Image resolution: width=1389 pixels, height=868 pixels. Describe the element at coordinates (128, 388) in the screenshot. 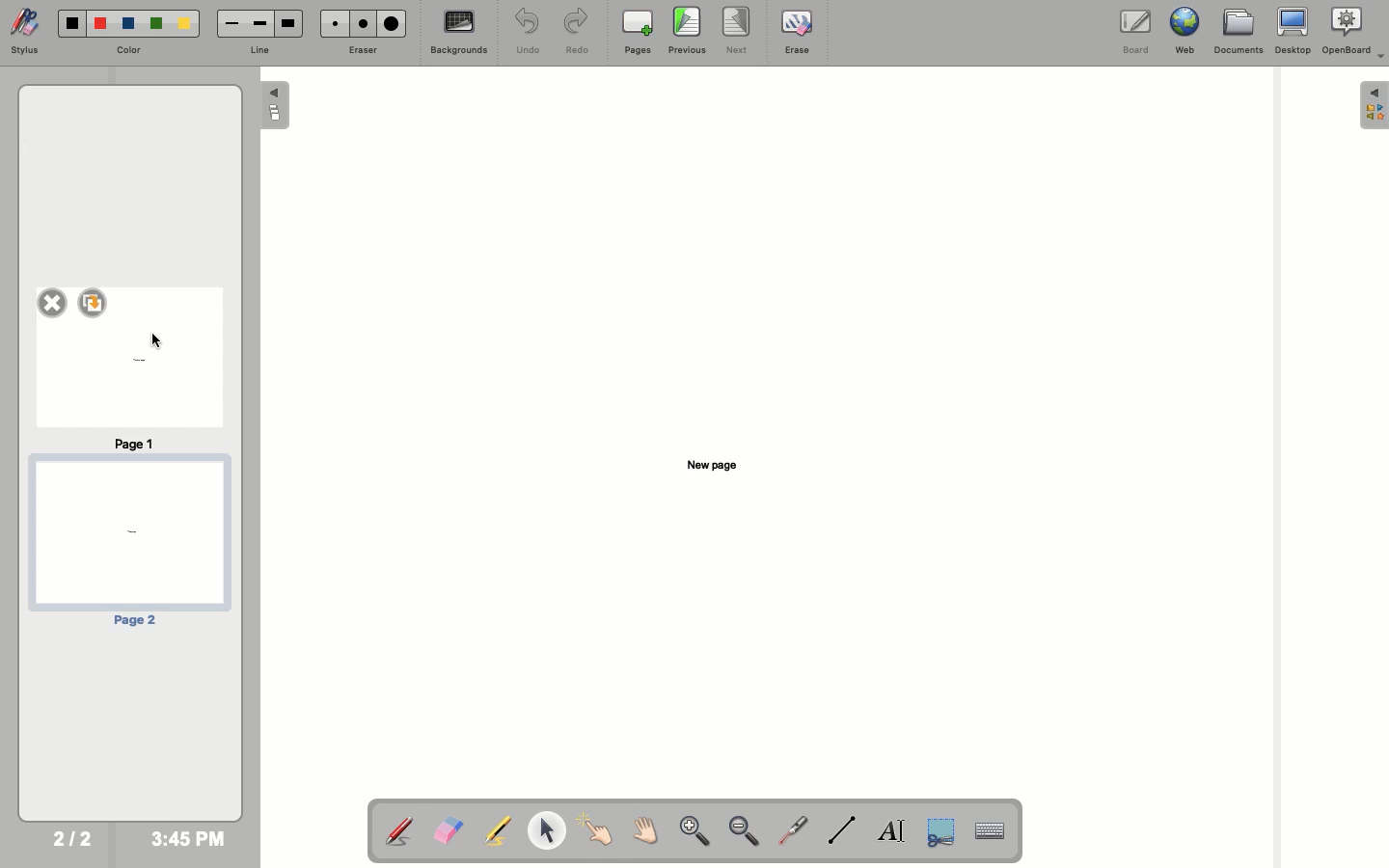

I see `Page 1` at that location.